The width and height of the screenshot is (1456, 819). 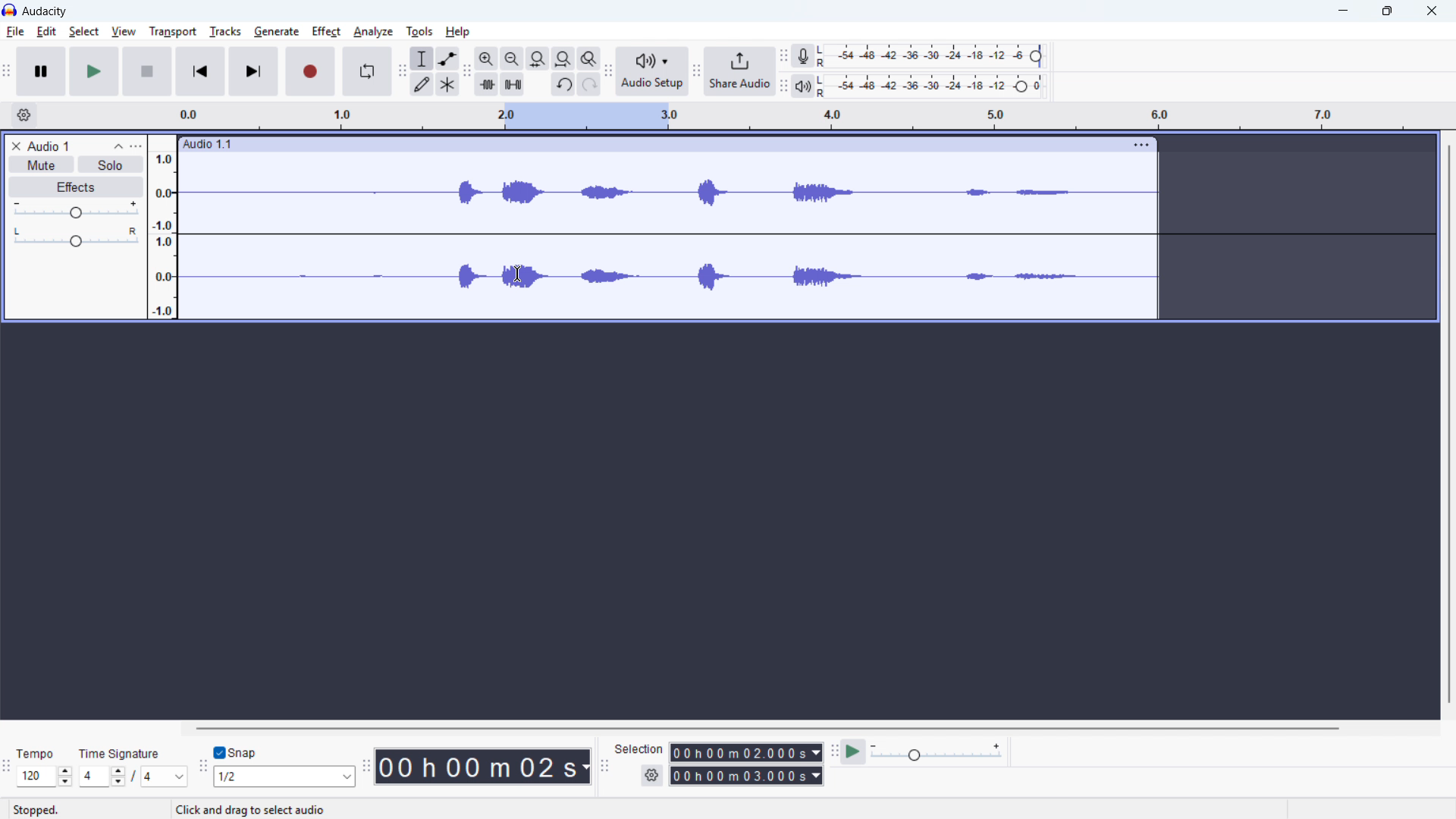 I want to click on Selection settings, so click(x=652, y=774).